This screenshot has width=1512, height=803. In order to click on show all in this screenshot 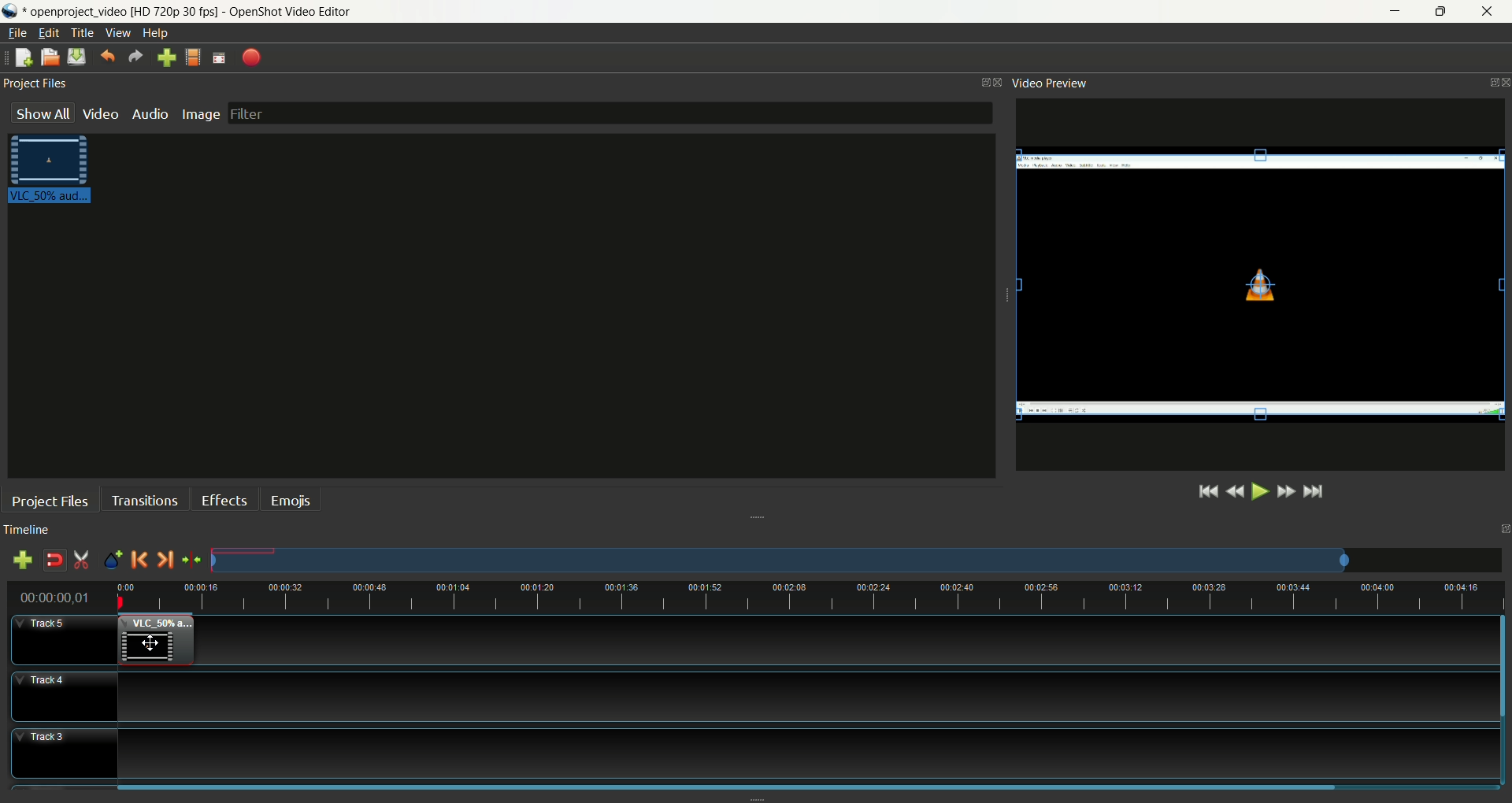, I will do `click(44, 117)`.